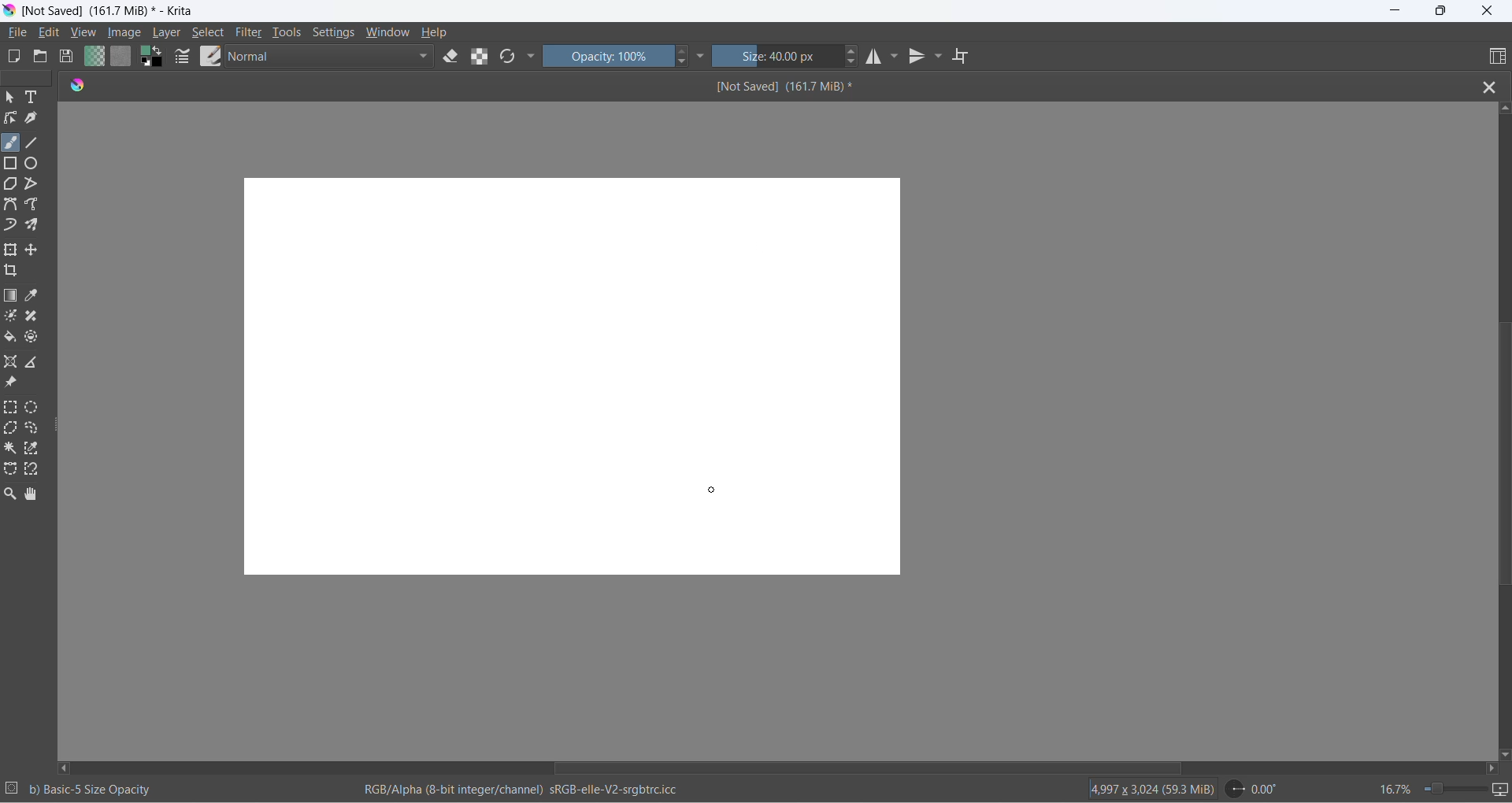 The height and width of the screenshot is (803, 1512). What do you see at coordinates (20, 33) in the screenshot?
I see `file` at bounding box center [20, 33].